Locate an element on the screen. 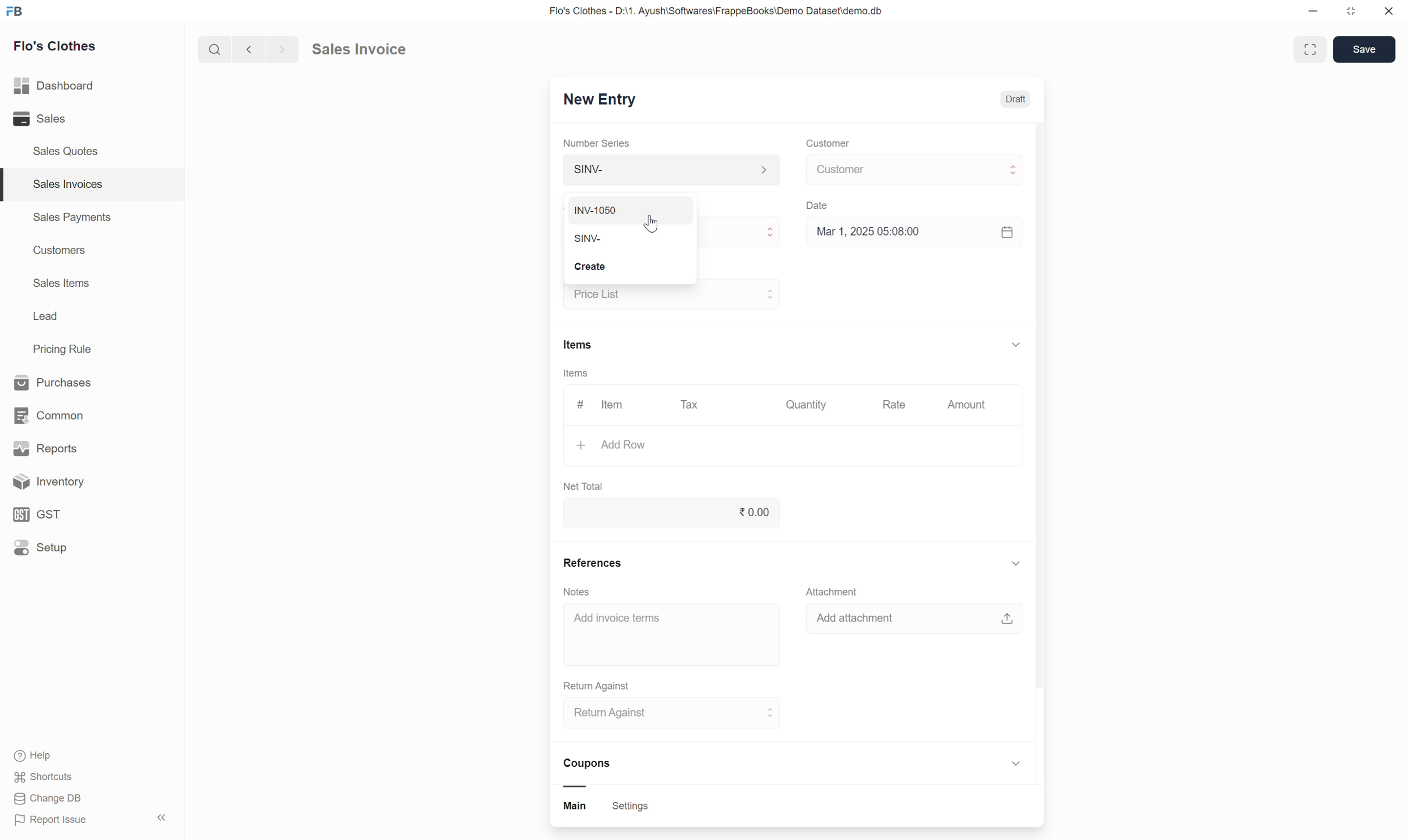 Image resolution: width=1408 pixels, height=840 pixels. sales invoice  is located at coordinates (374, 48).